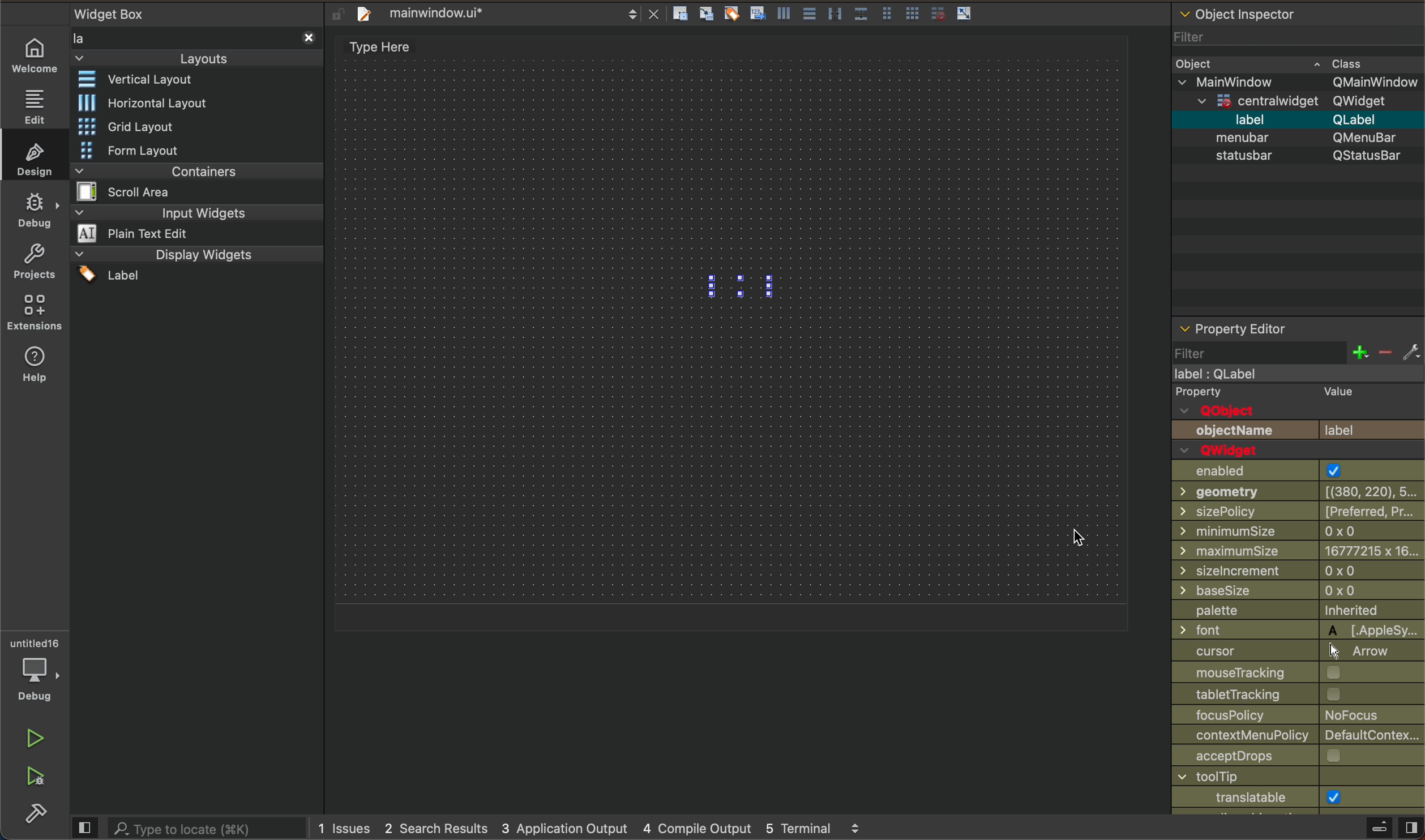 The width and height of the screenshot is (1425, 840). I want to click on windowicon, so click(1234, 798).